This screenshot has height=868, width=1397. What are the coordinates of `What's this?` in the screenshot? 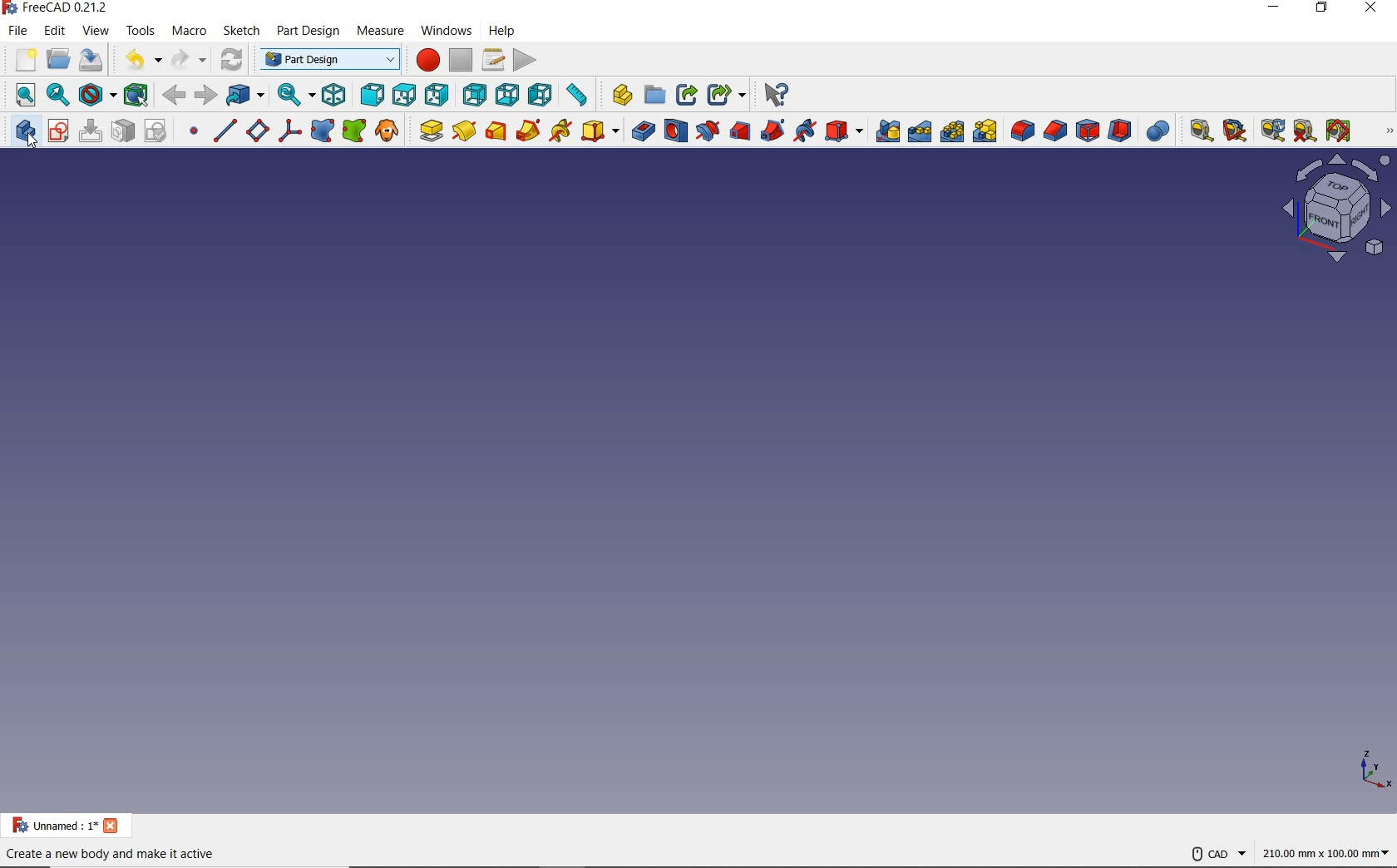 It's located at (777, 92).